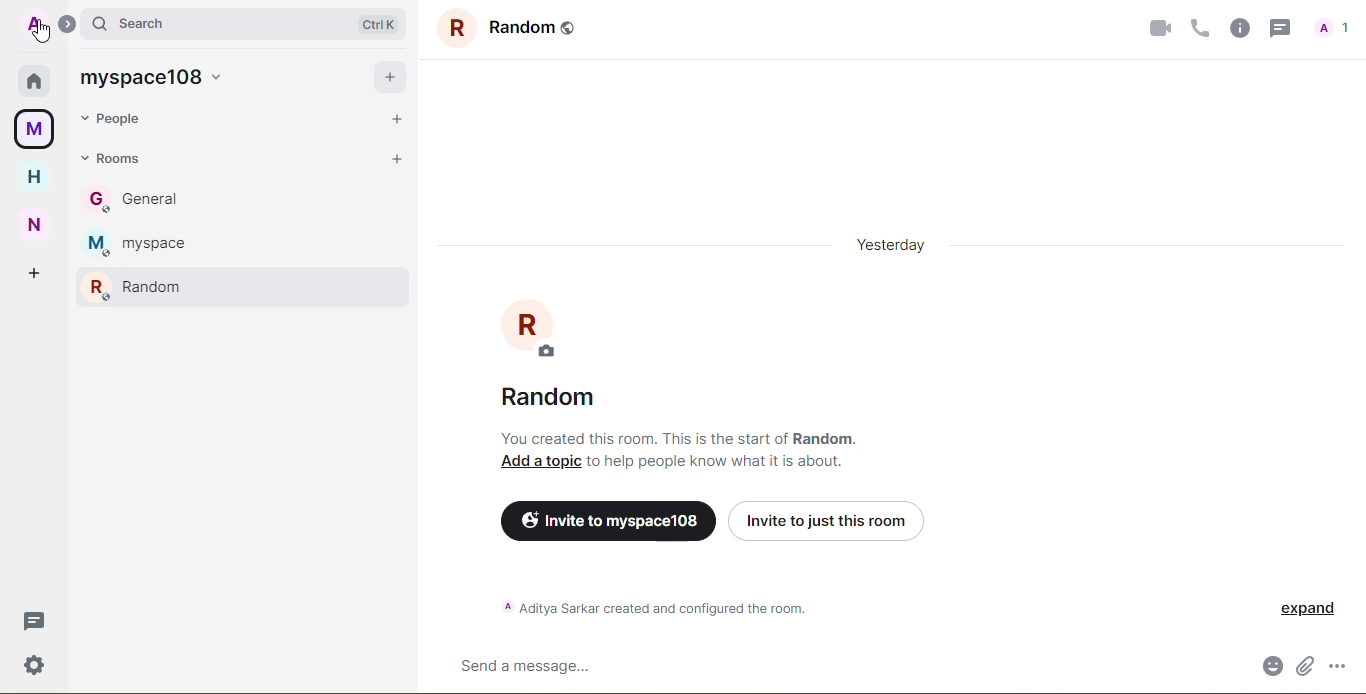 The image size is (1366, 694). What do you see at coordinates (1278, 27) in the screenshot?
I see `threads` at bounding box center [1278, 27].